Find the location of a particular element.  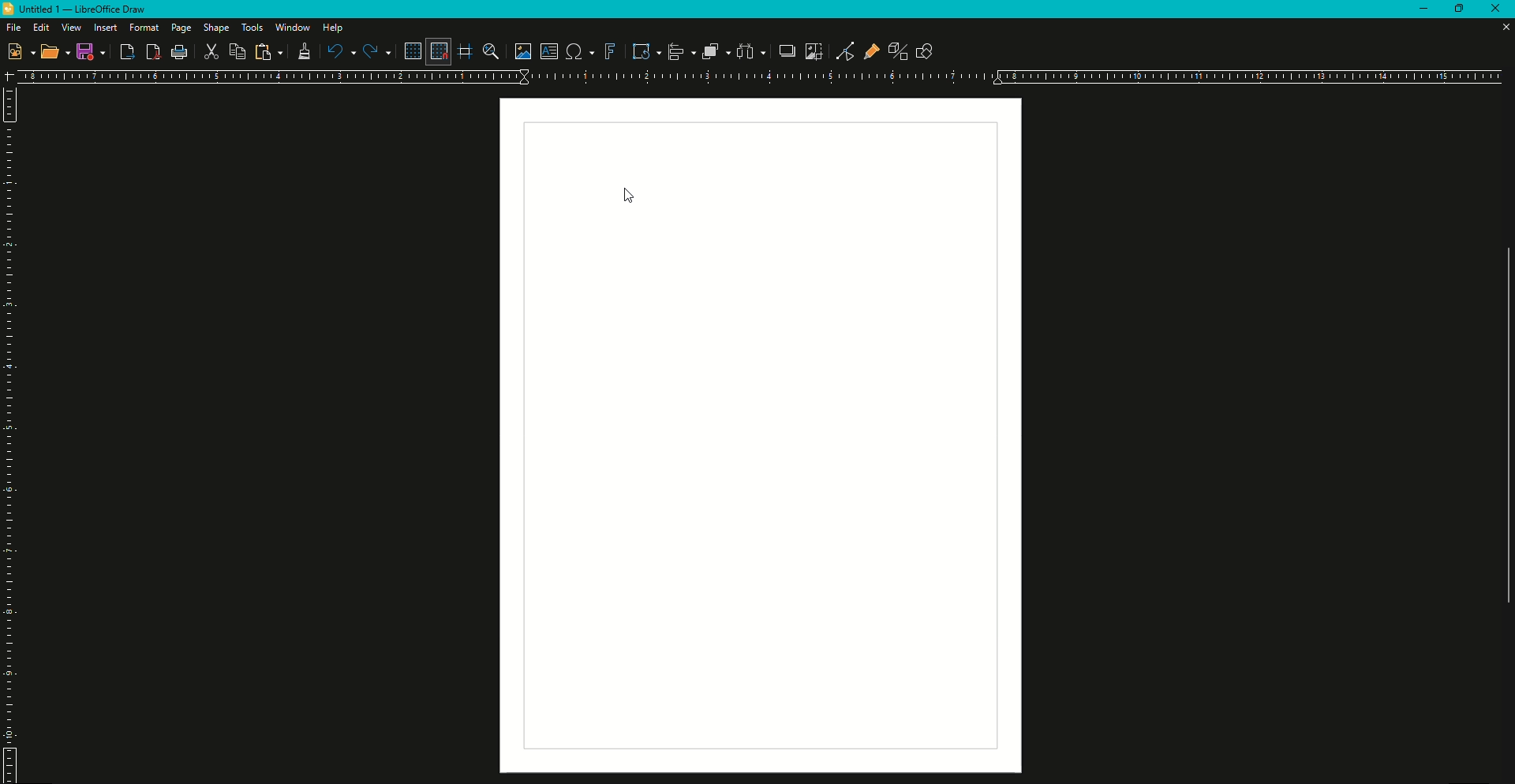

Export is located at coordinates (126, 54).